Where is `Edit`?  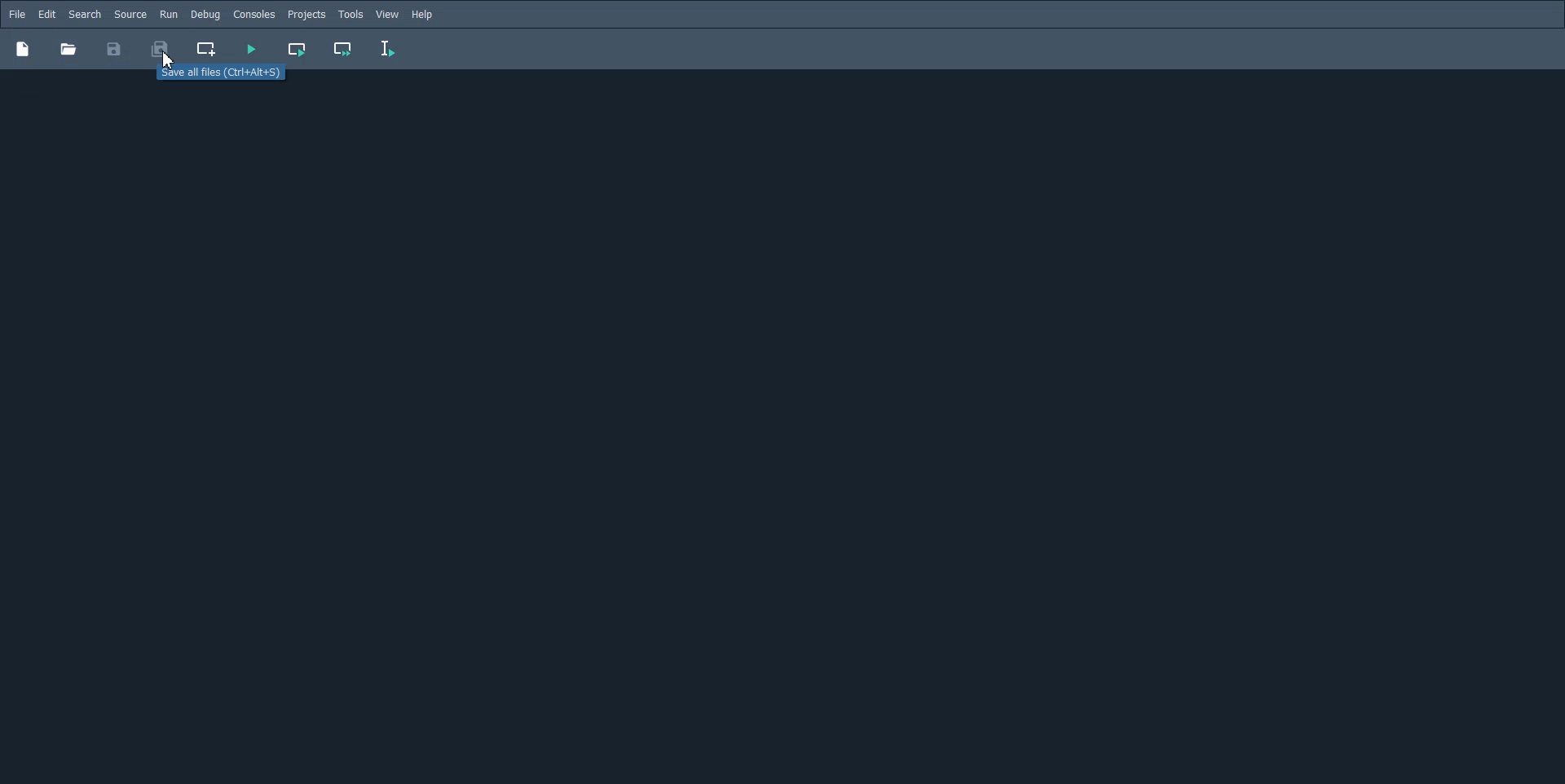
Edit is located at coordinates (46, 15).